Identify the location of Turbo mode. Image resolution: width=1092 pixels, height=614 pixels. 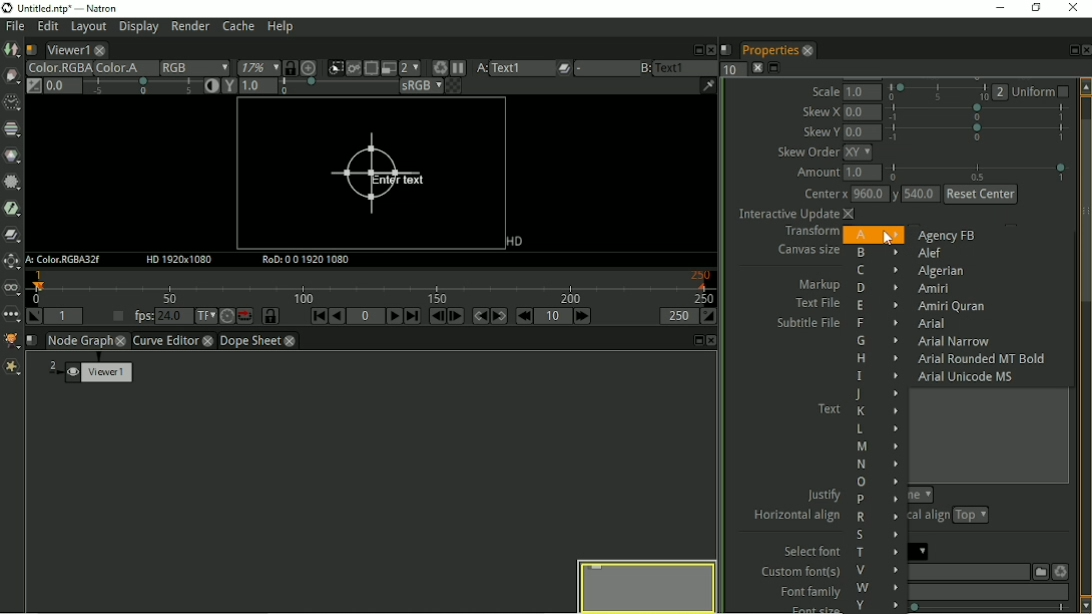
(226, 317).